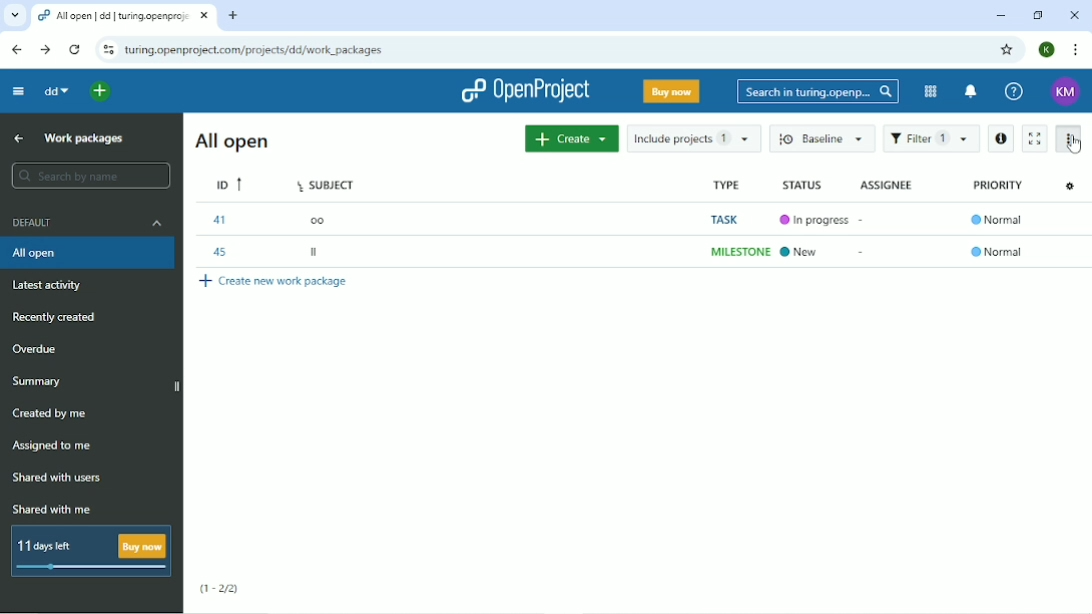 This screenshot has height=614, width=1092. Describe the element at coordinates (45, 49) in the screenshot. I see `Forward` at that location.